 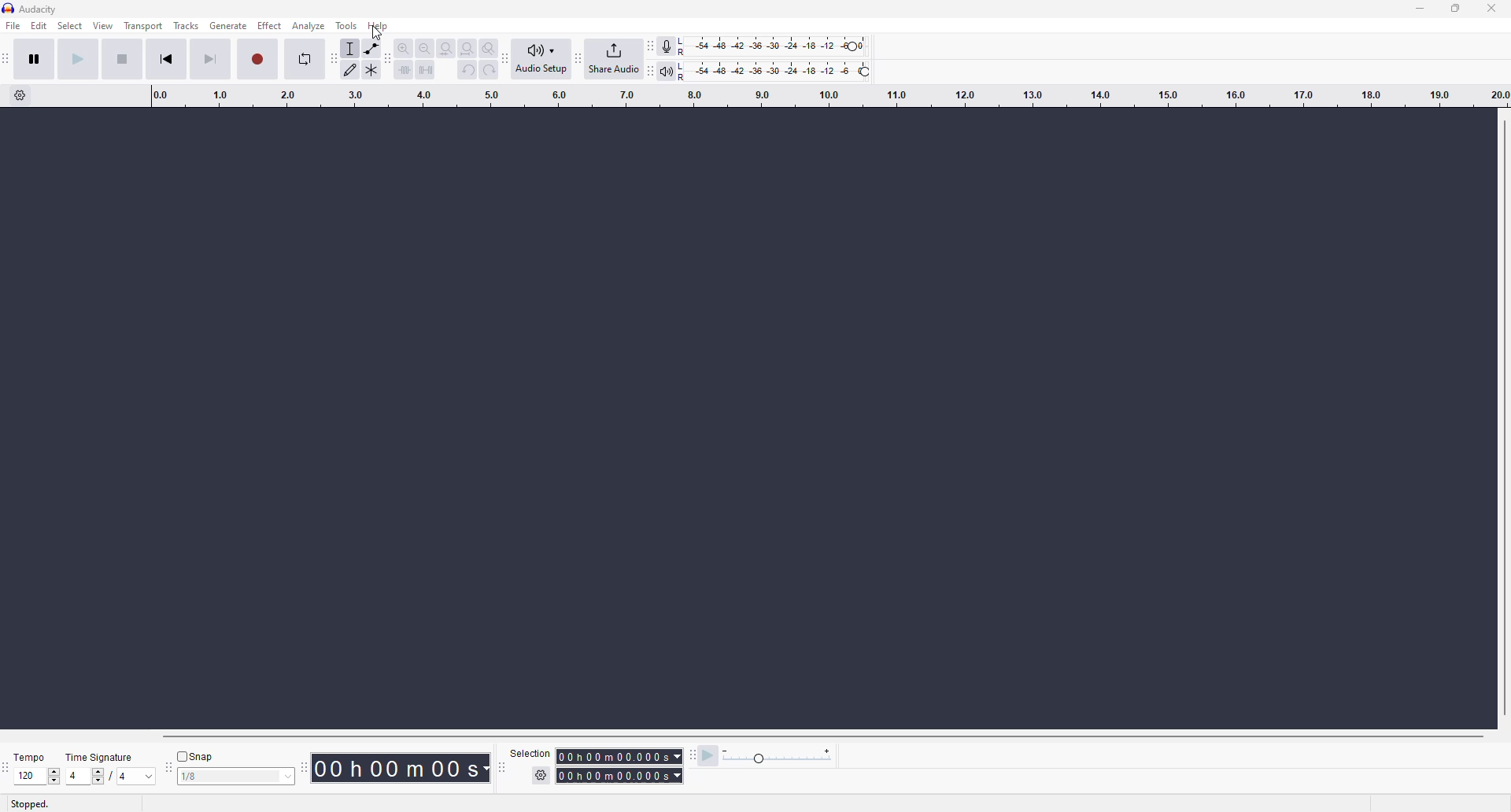 What do you see at coordinates (525, 752) in the screenshot?
I see `selection` at bounding box center [525, 752].